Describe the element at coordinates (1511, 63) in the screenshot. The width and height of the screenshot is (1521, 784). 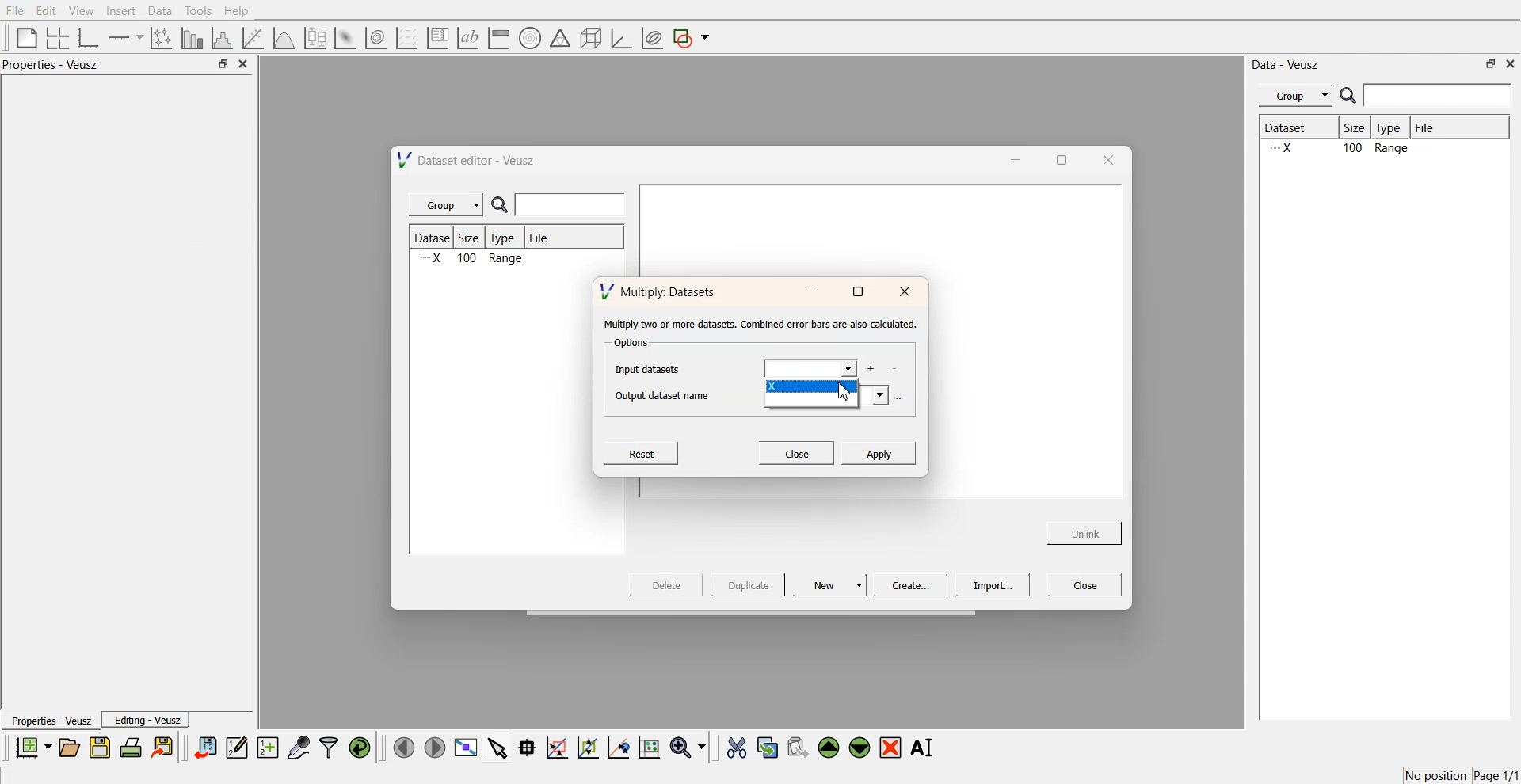
I see `close` at that location.